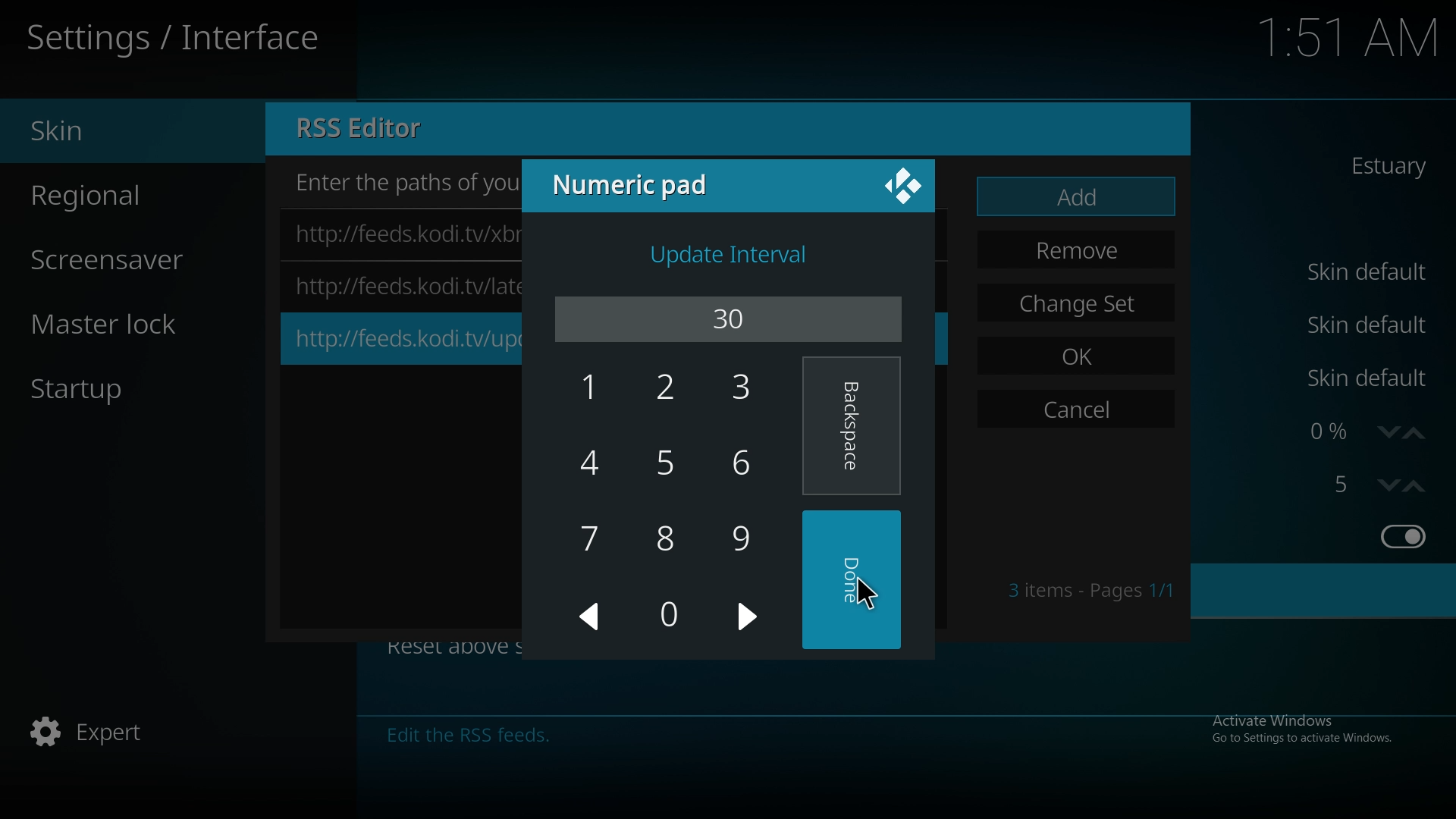 Image resolution: width=1456 pixels, height=819 pixels. Describe the element at coordinates (105, 393) in the screenshot. I see `startup` at that location.